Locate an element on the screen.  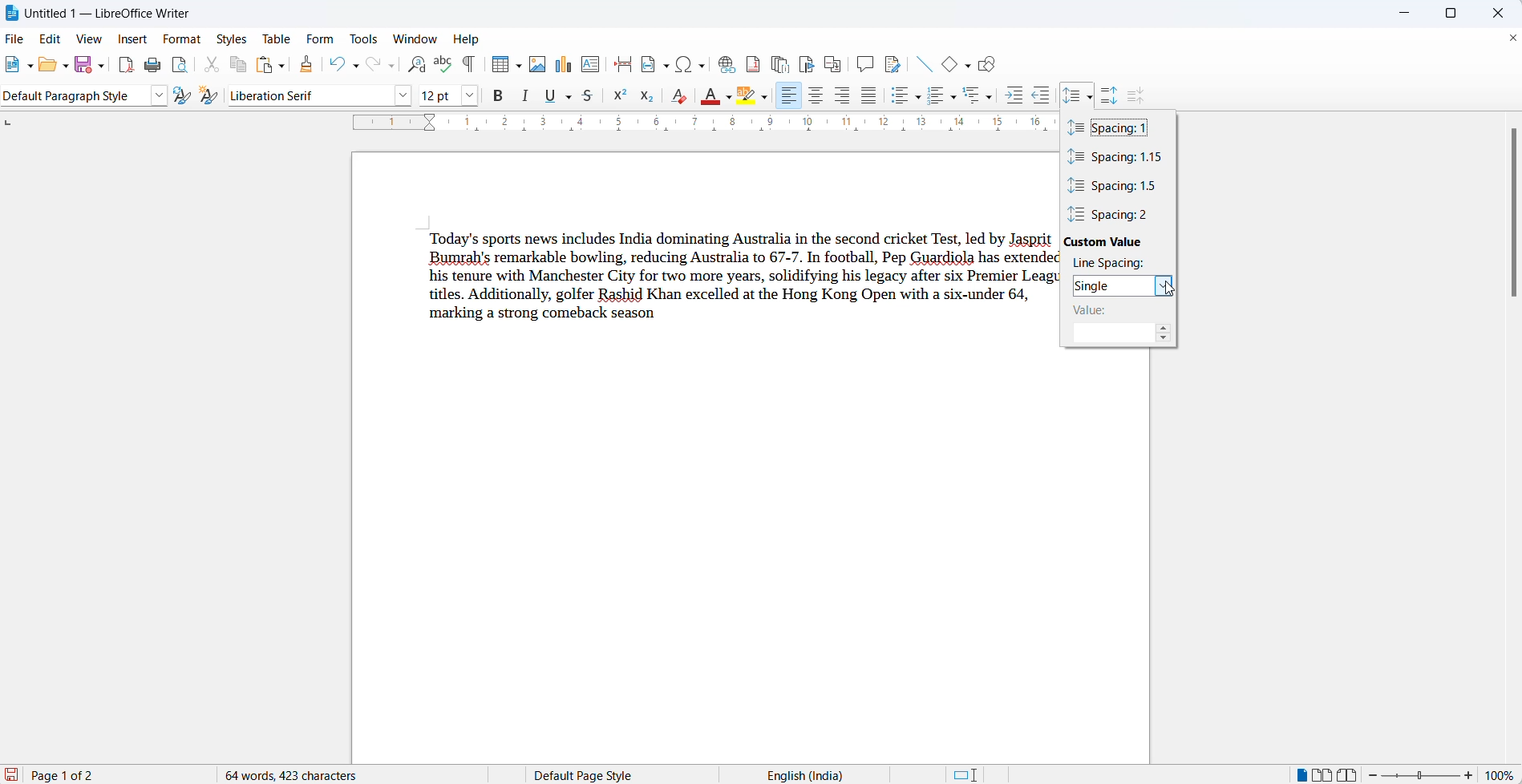
justified is located at coordinates (868, 96).